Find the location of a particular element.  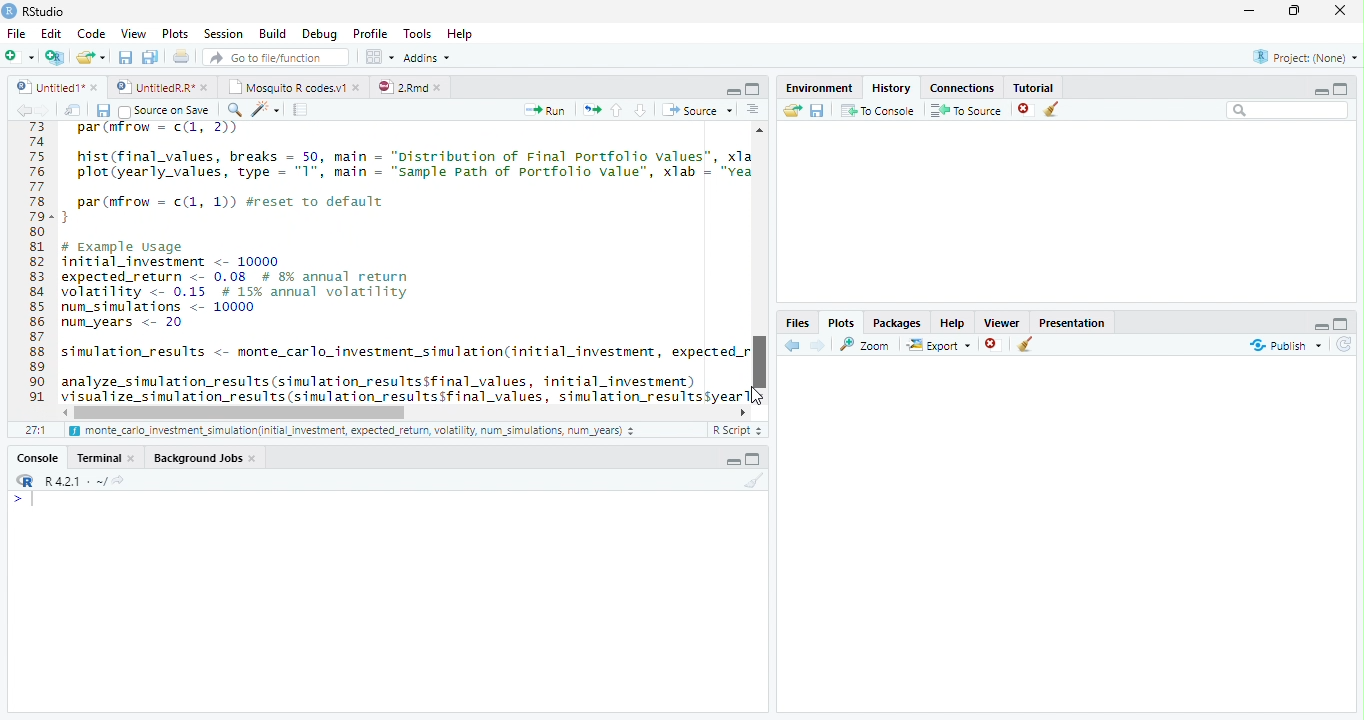

Code is located at coordinates (89, 33).